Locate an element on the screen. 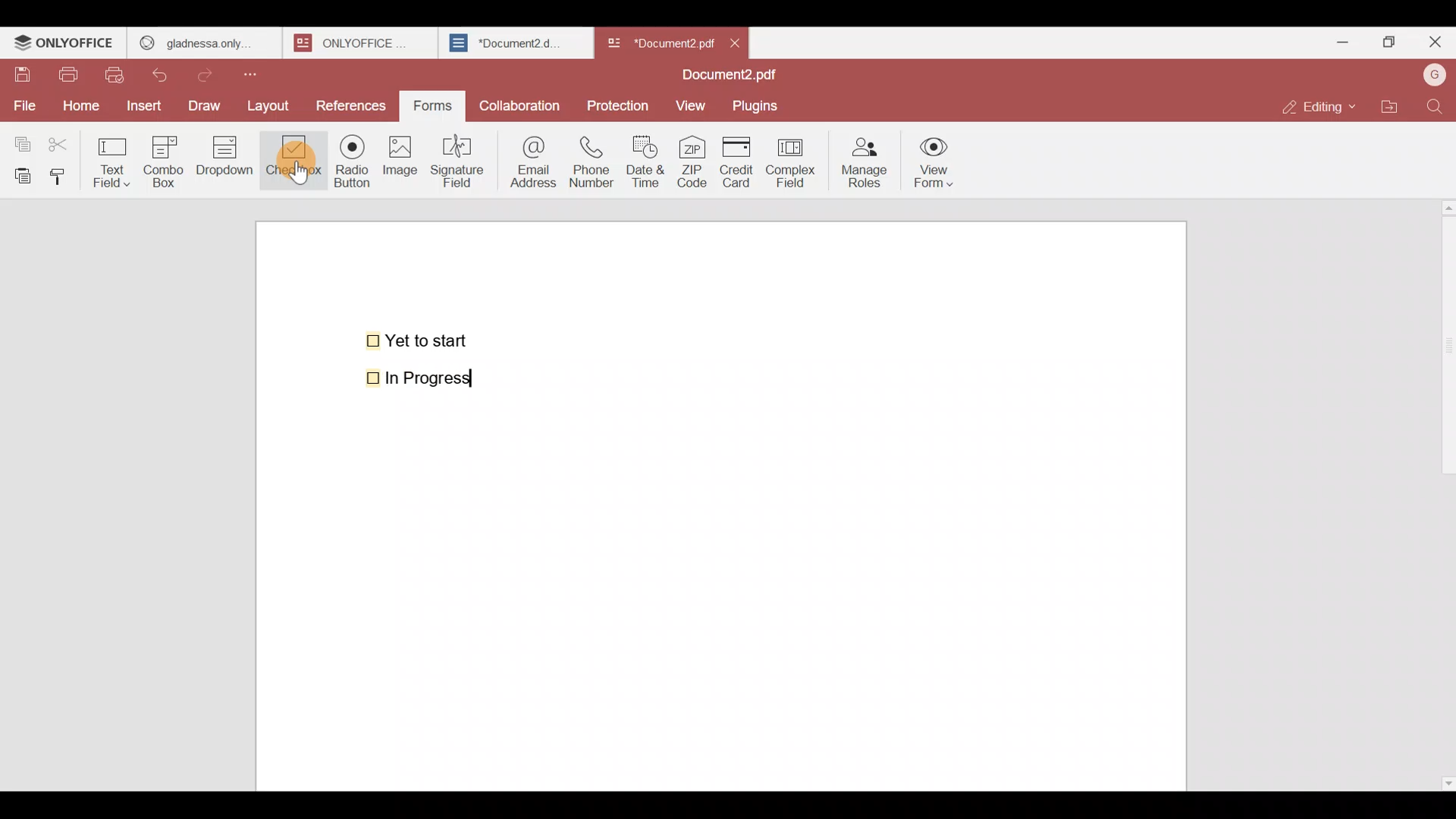 Image resolution: width=1456 pixels, height=819 pixels. Protection is located at coordinates (619, 105).